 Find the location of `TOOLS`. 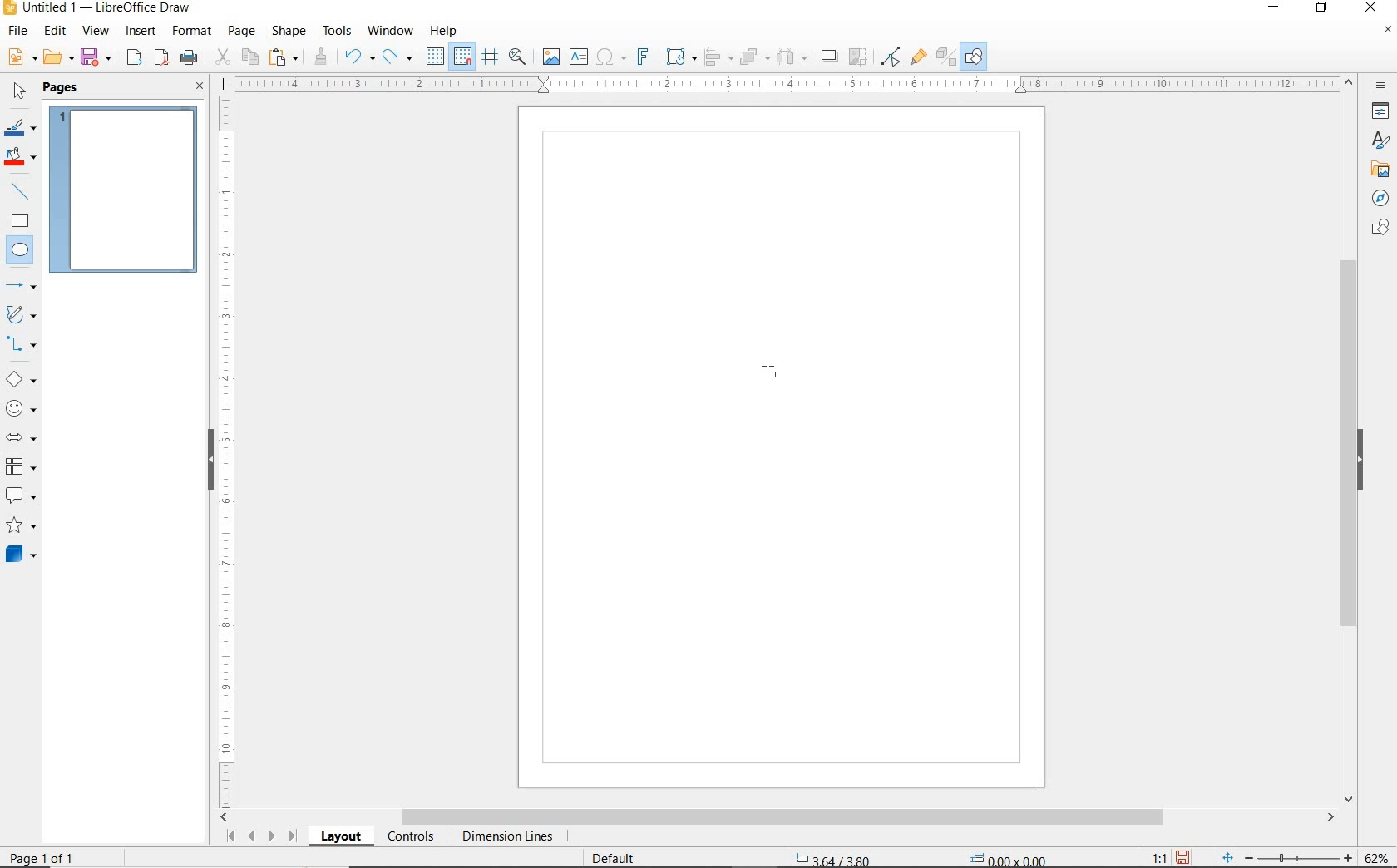

TOOLS is located at coordinates (337, 30).